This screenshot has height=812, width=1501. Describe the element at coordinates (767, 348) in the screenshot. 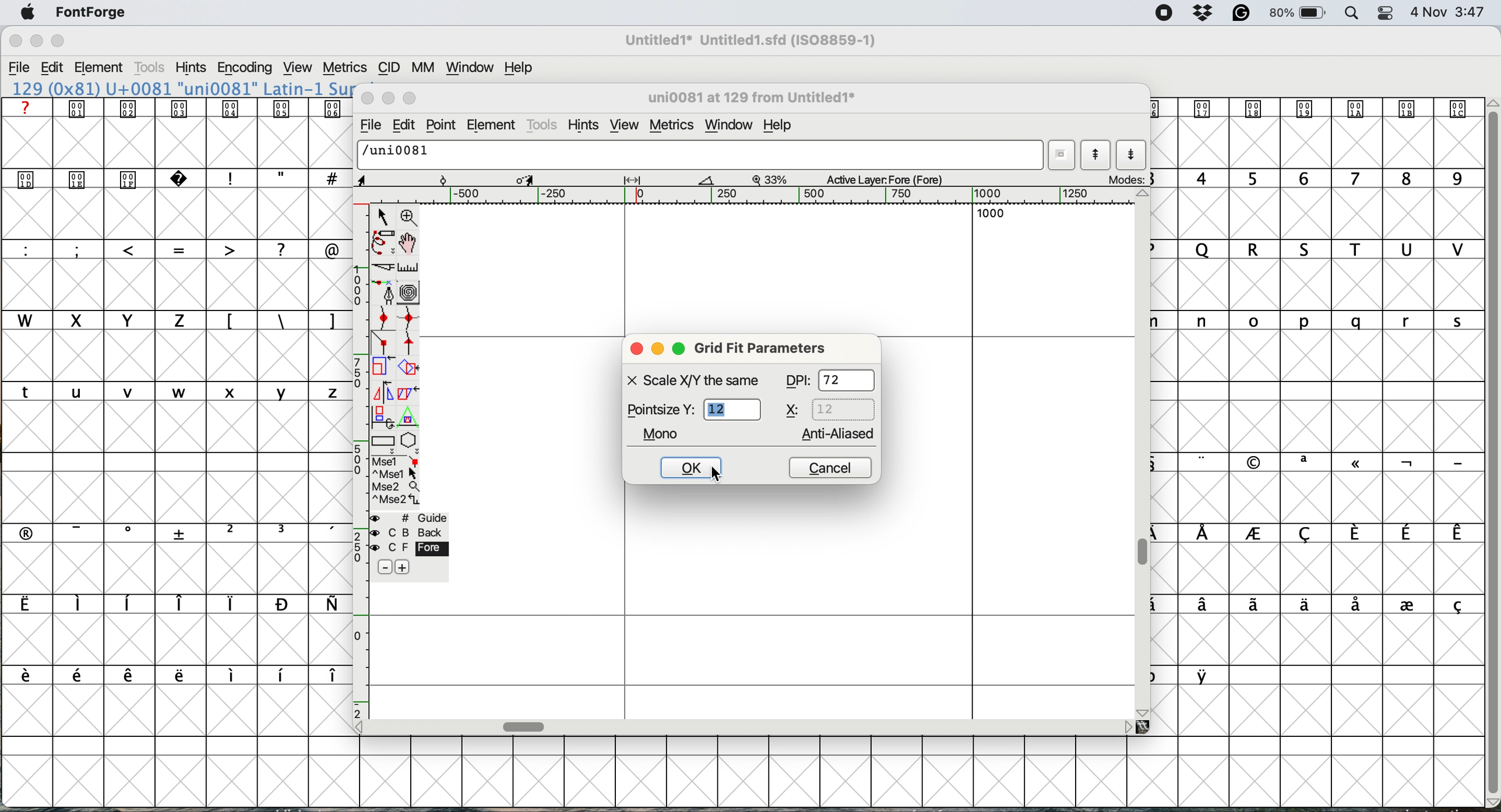

I see `grid fit parameters` at that location.